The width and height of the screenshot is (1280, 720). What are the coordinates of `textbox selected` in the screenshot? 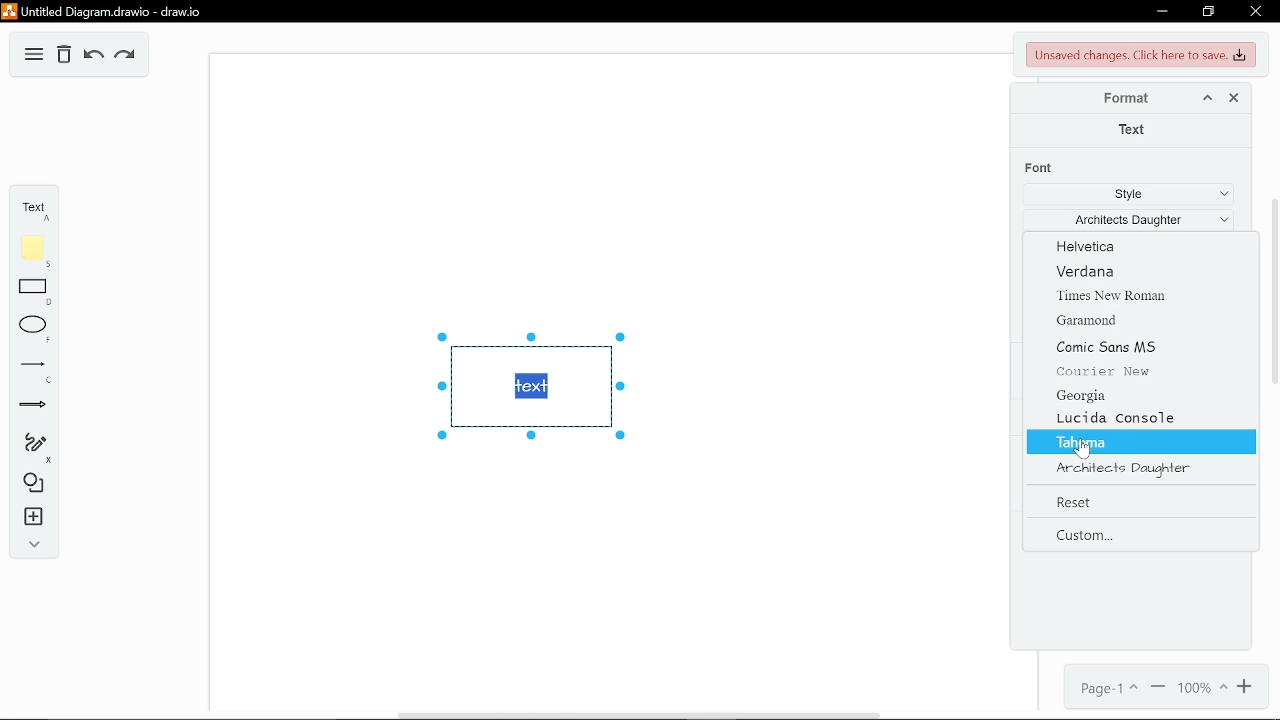 It's located at (528, 387).